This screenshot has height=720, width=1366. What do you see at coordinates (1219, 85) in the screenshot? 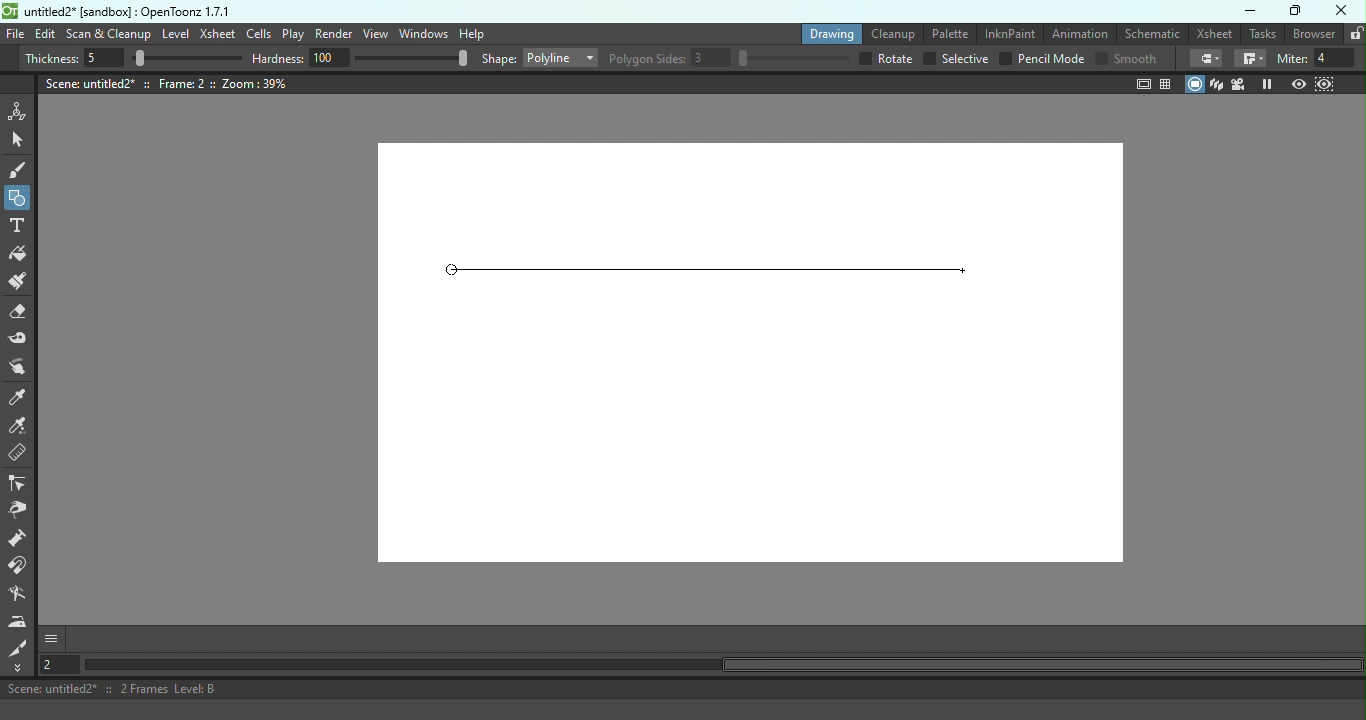
I see `3D view` at bounding box center [1219, 85].